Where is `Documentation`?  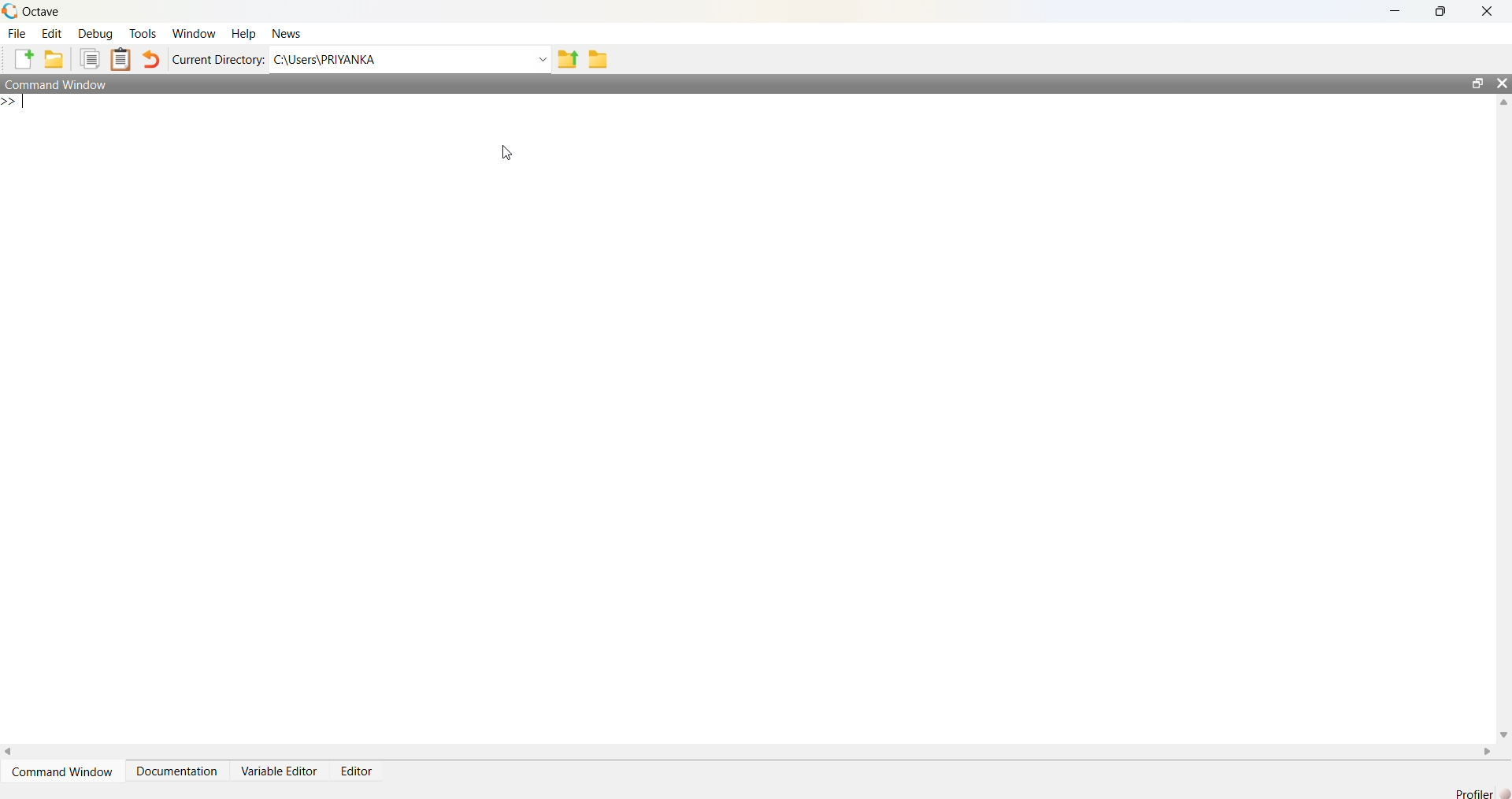 Documentation is located at coordinates (182, 769).